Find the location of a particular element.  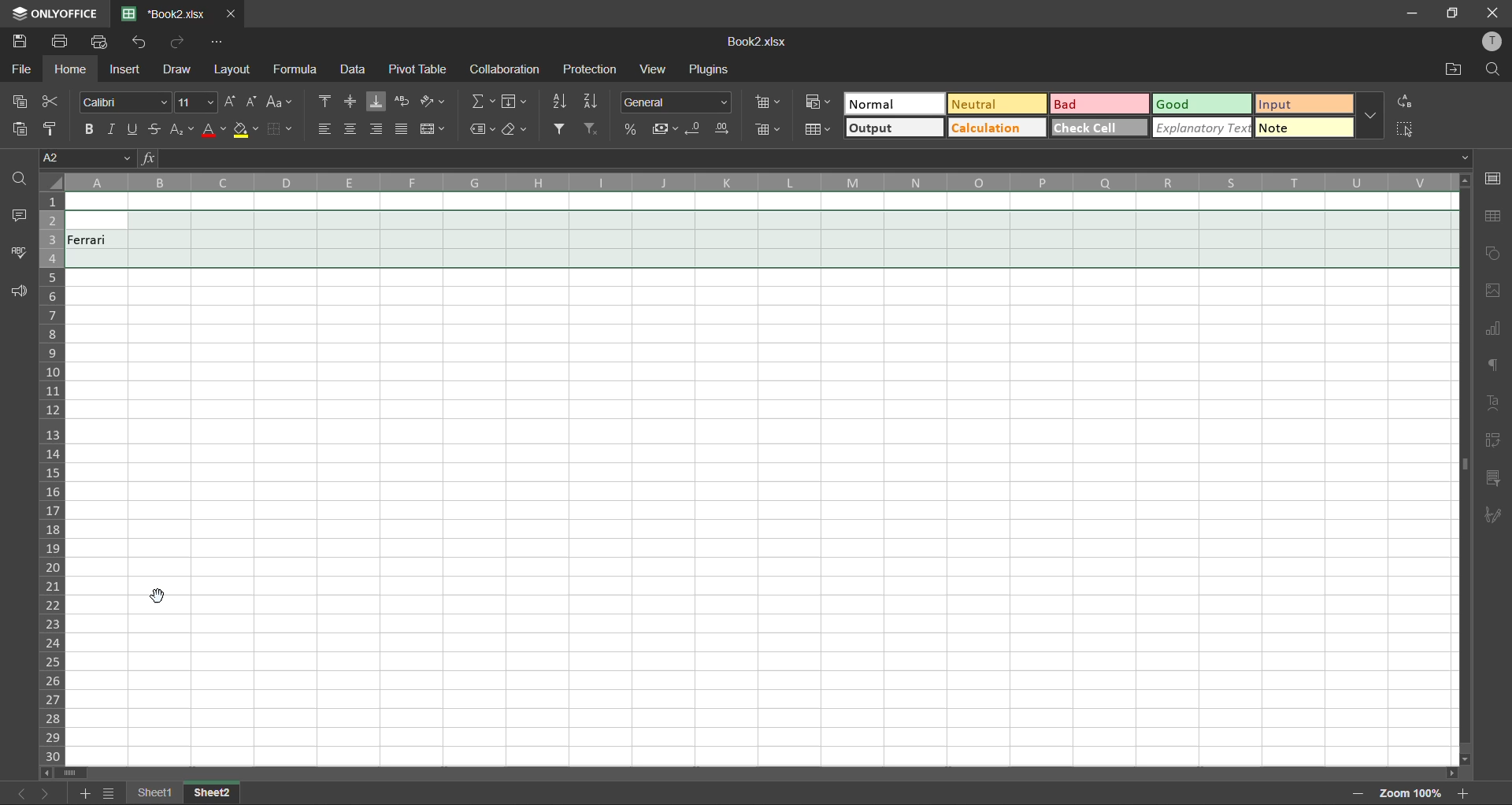

plugins is located at coordinates (707, 68).